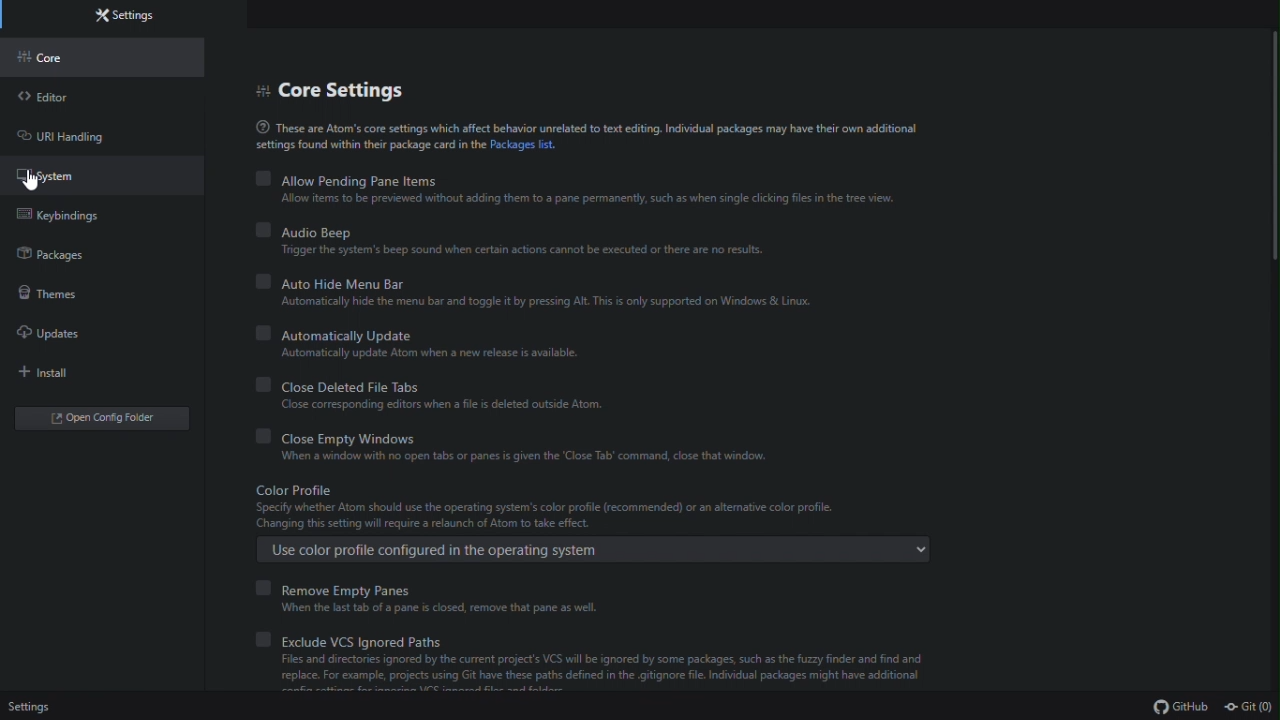 The height and width of the screenshot is (720, 1280). What do you see at coordinates (33, 183) in the screenshot?
I see `cursor` at bounding box center [33, 183].